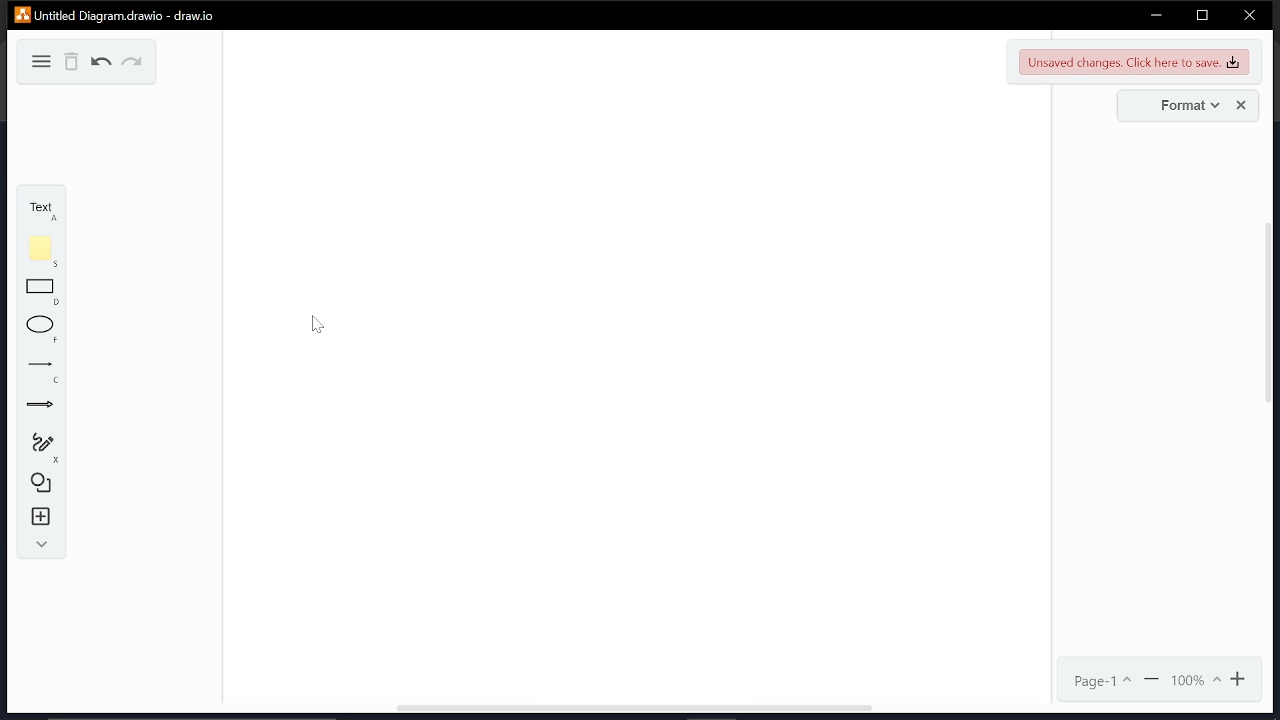  I want to click on arrows, so click(40, 407).